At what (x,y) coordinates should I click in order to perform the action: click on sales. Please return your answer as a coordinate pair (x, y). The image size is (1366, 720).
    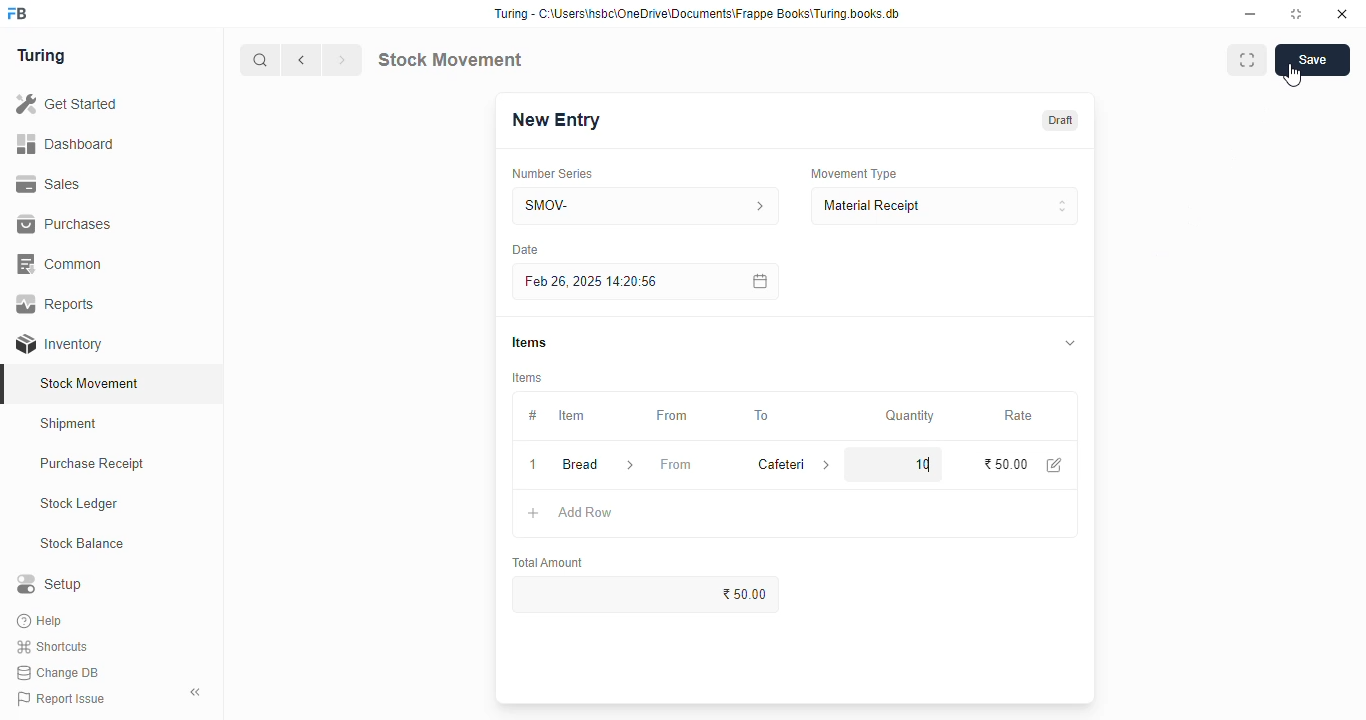
    Looking at the image, I should click on (48, 184).